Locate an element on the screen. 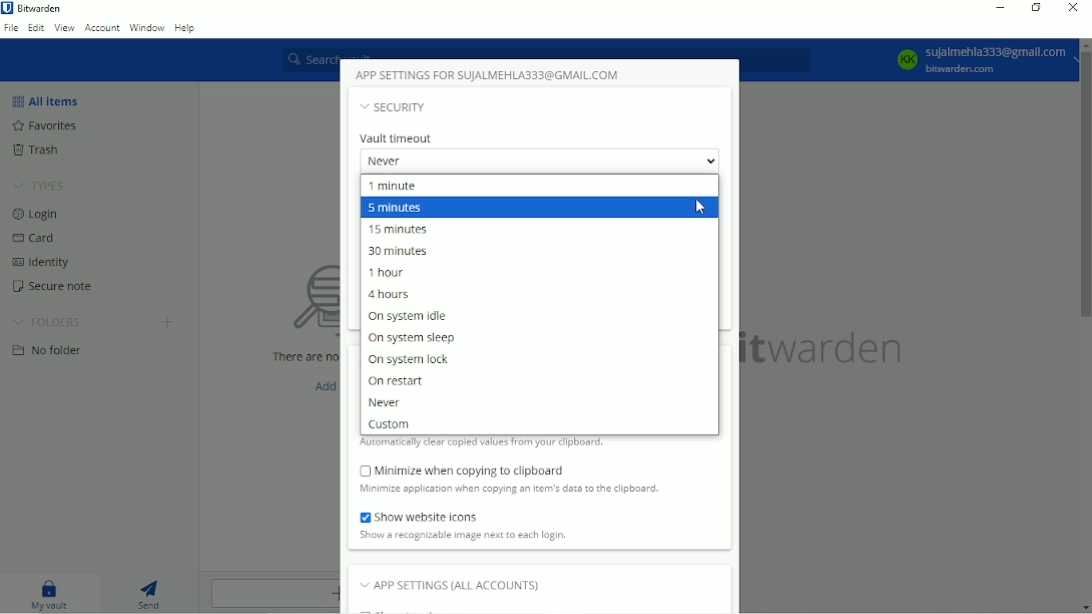 The width and height of the screenshot is (1092, 614). 15 minutes is located at coordinates (401, 229).